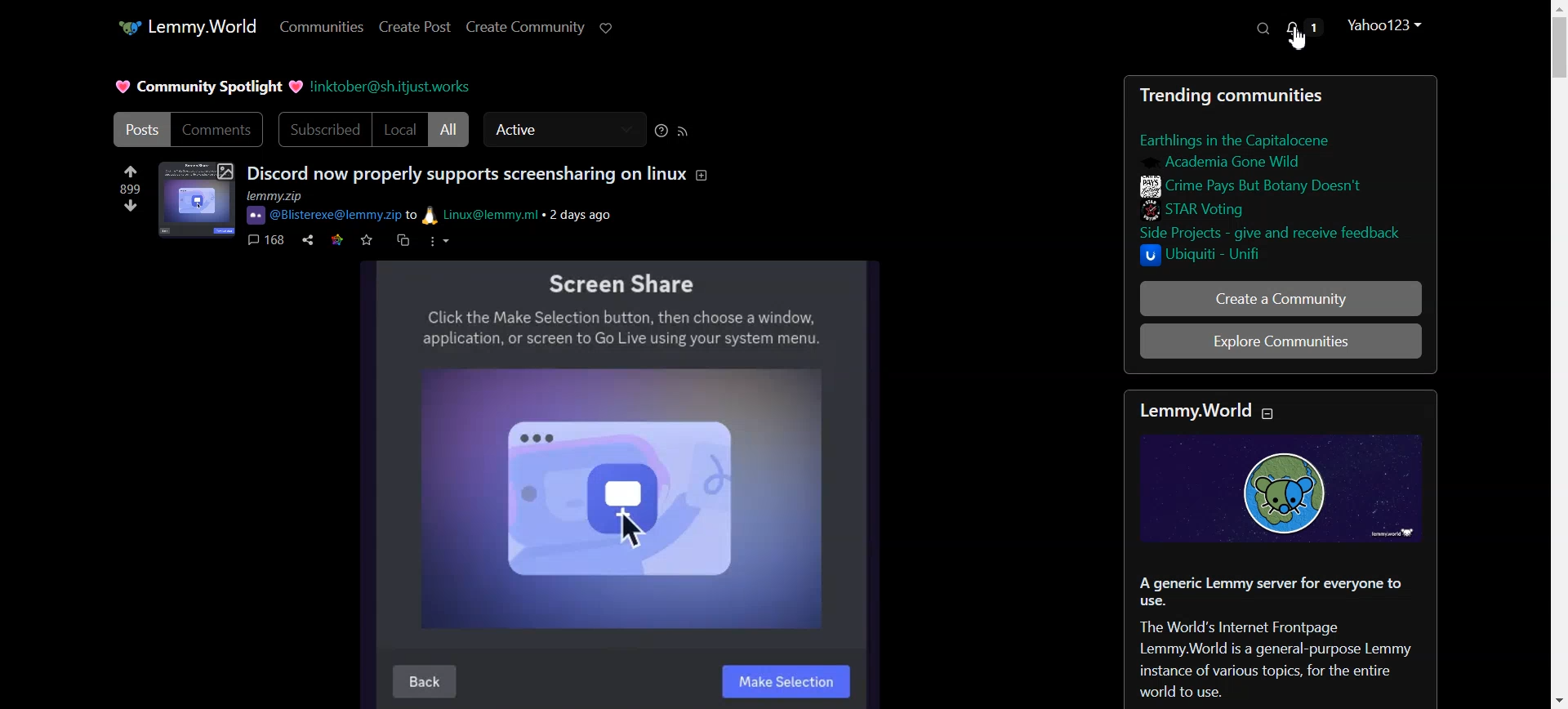  I want to click on All, so click(449, 128).